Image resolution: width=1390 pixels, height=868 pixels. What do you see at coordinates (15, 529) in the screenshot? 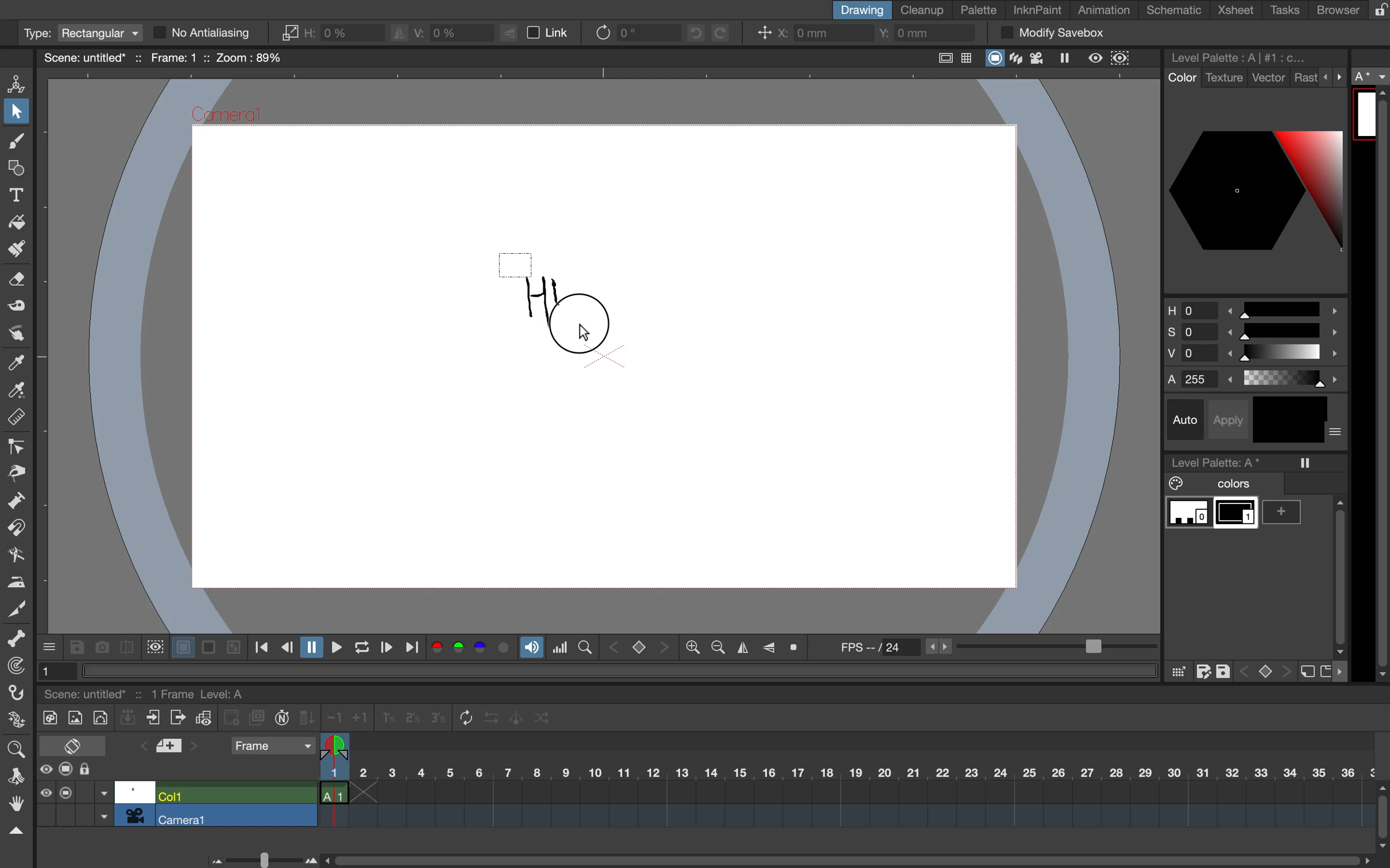
I see `magnet tool` at bounding box center [15, 529].